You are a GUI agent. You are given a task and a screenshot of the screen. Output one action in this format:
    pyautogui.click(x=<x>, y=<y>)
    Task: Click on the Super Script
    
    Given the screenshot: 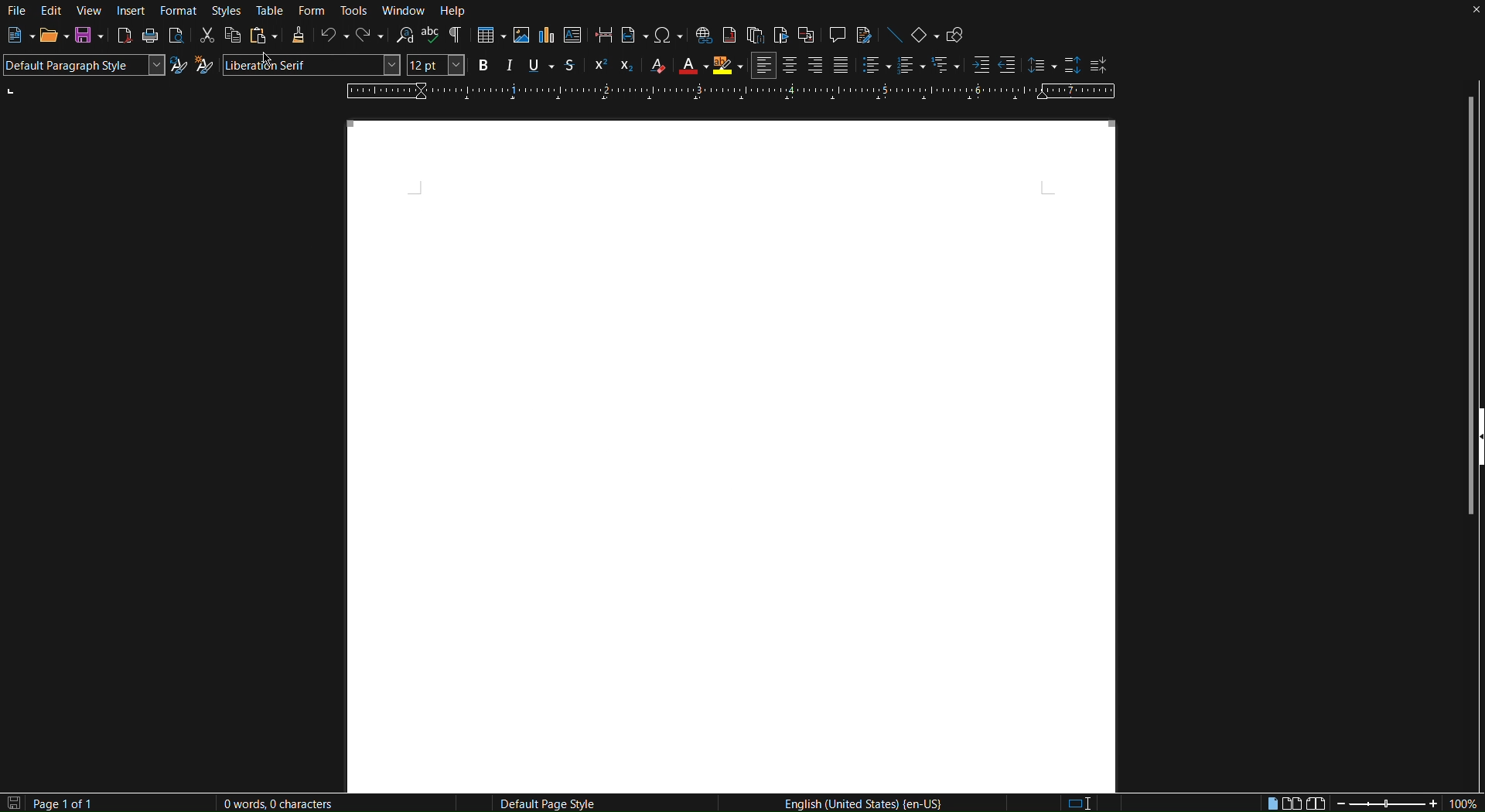 What is the action you would take?
    pyautogui.click(x=599, y=65)
    